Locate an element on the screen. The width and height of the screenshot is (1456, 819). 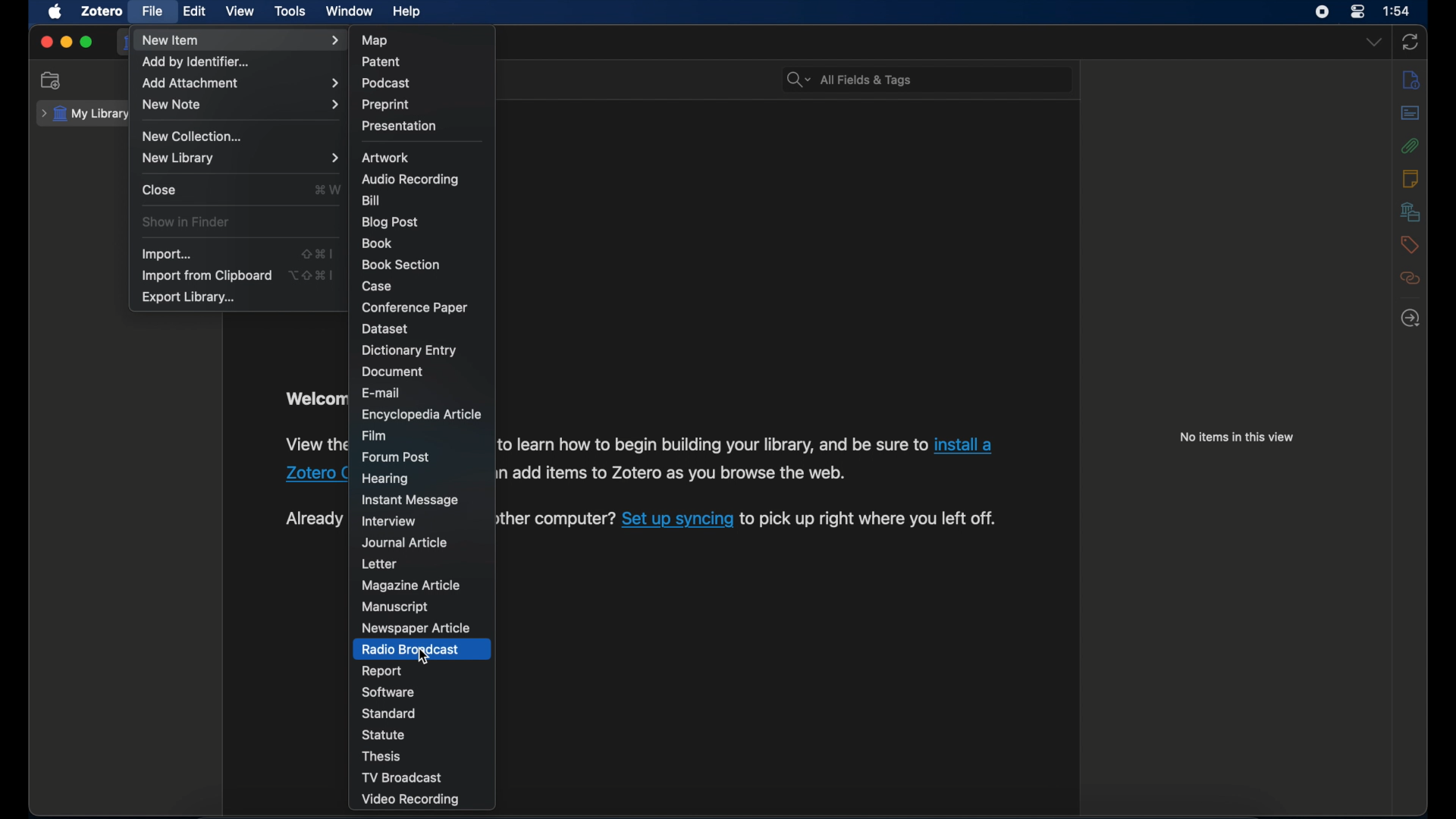
view is located at coordinates (241, 11).